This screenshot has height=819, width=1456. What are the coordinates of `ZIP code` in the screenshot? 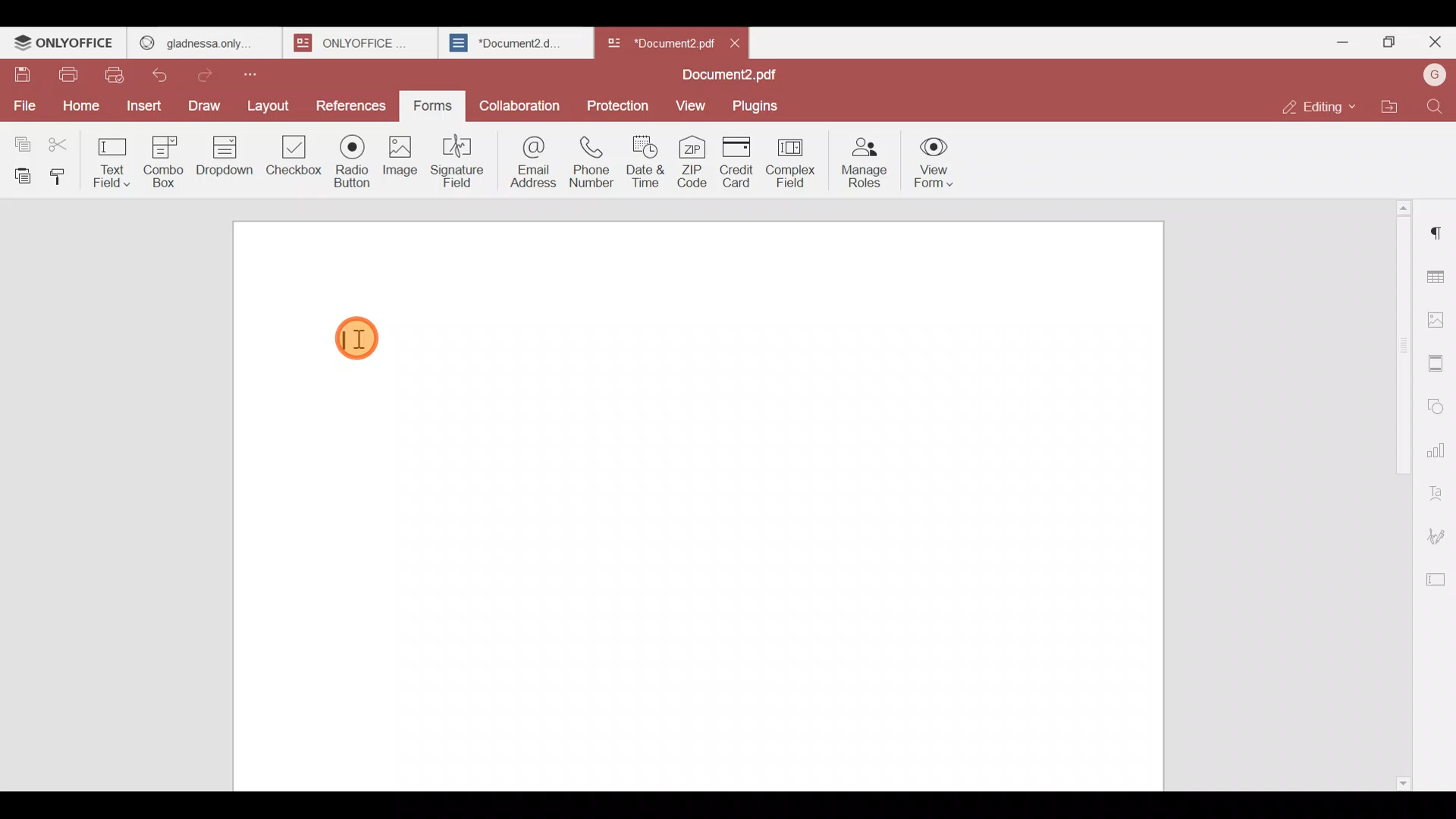 It's located at (695, 160).